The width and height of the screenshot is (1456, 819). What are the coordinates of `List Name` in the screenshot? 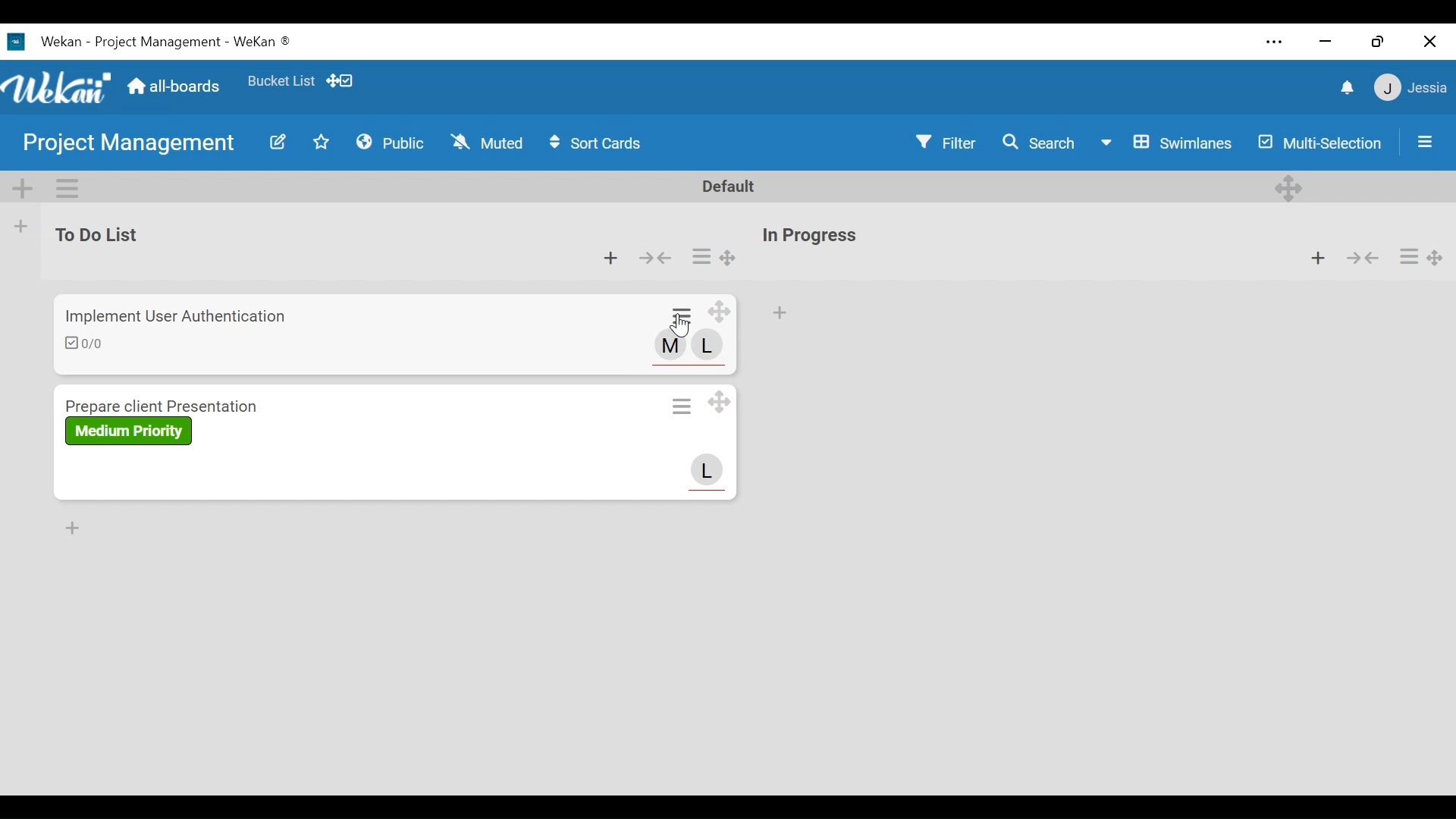 It's located at (94, 234).